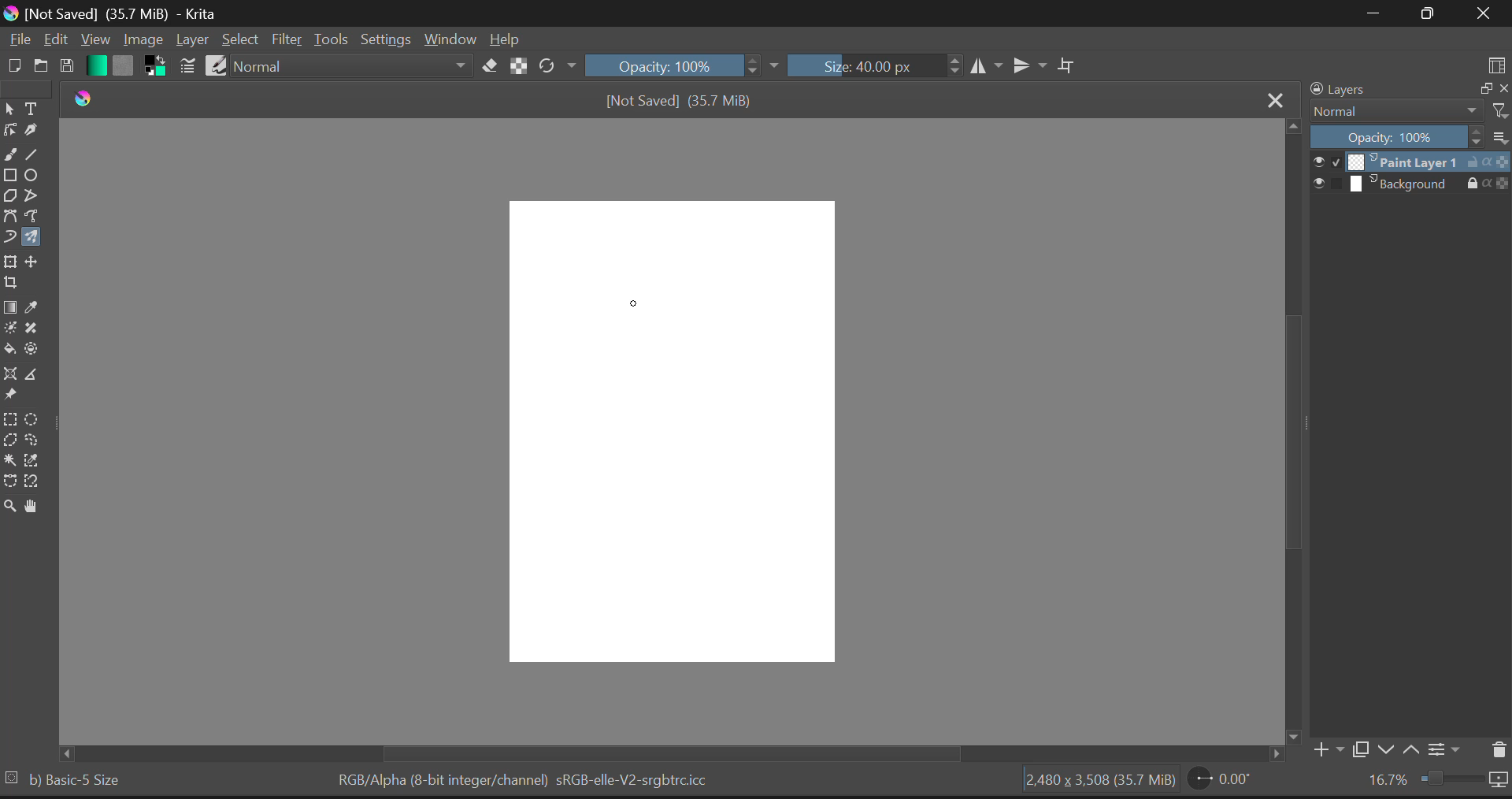  What do you see at coordinates (1378, 13) in the screenshot?
I see `Restore Down` at bounding box center [1378, 13].